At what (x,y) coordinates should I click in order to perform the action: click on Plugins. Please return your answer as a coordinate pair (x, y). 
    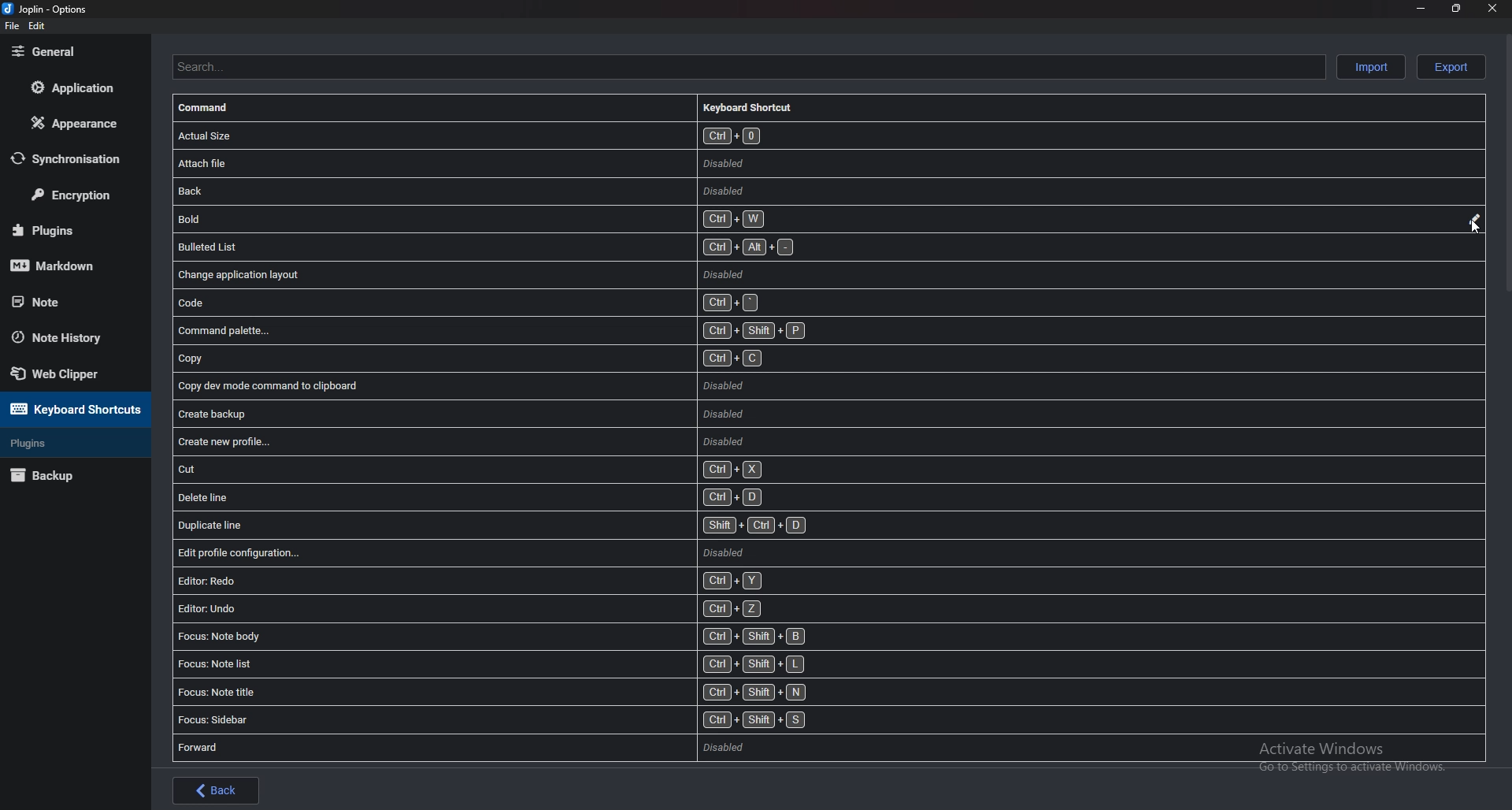
    Looking at the image, I should click on (69, 444).